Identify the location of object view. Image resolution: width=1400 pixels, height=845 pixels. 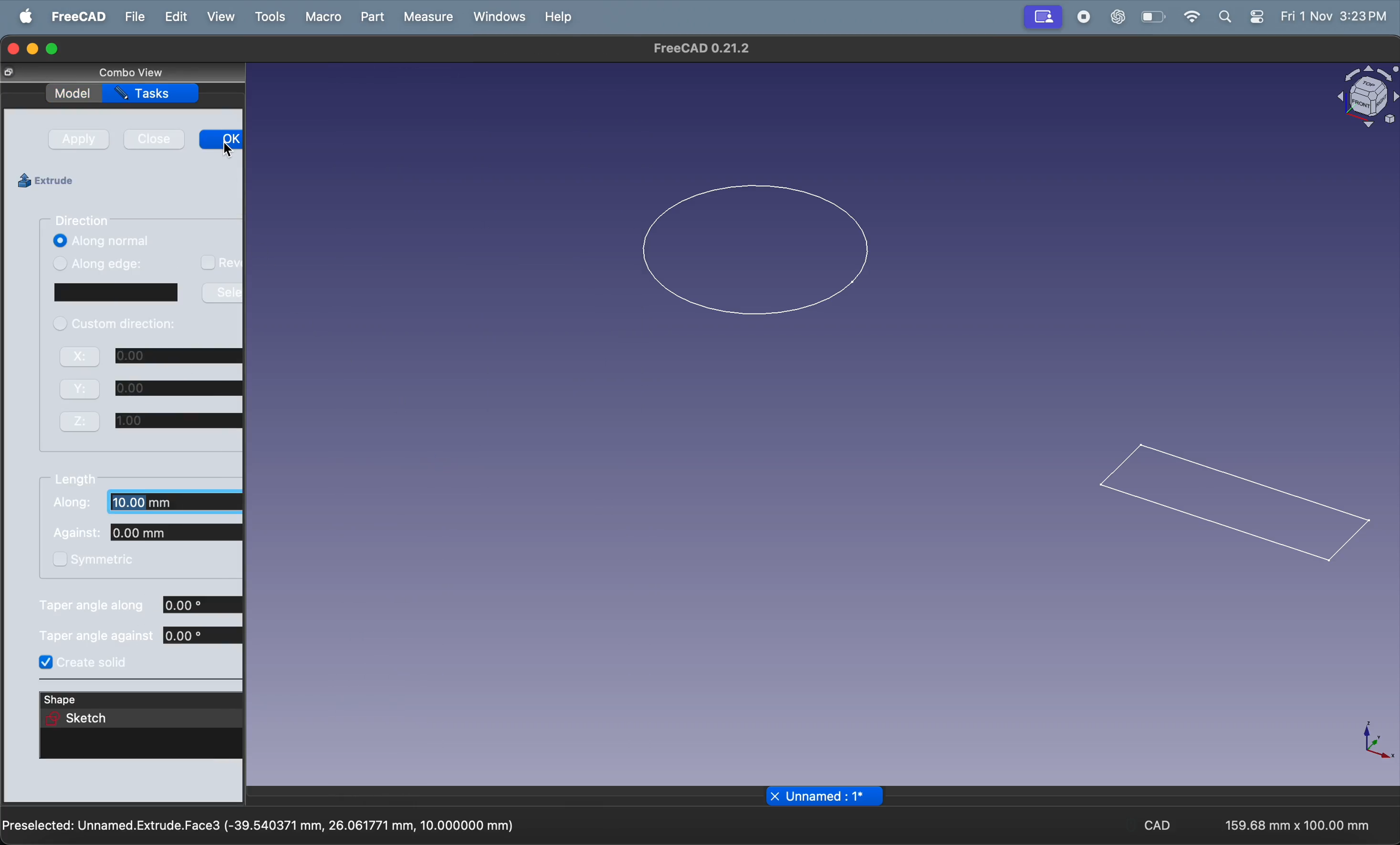
(1366, 95).